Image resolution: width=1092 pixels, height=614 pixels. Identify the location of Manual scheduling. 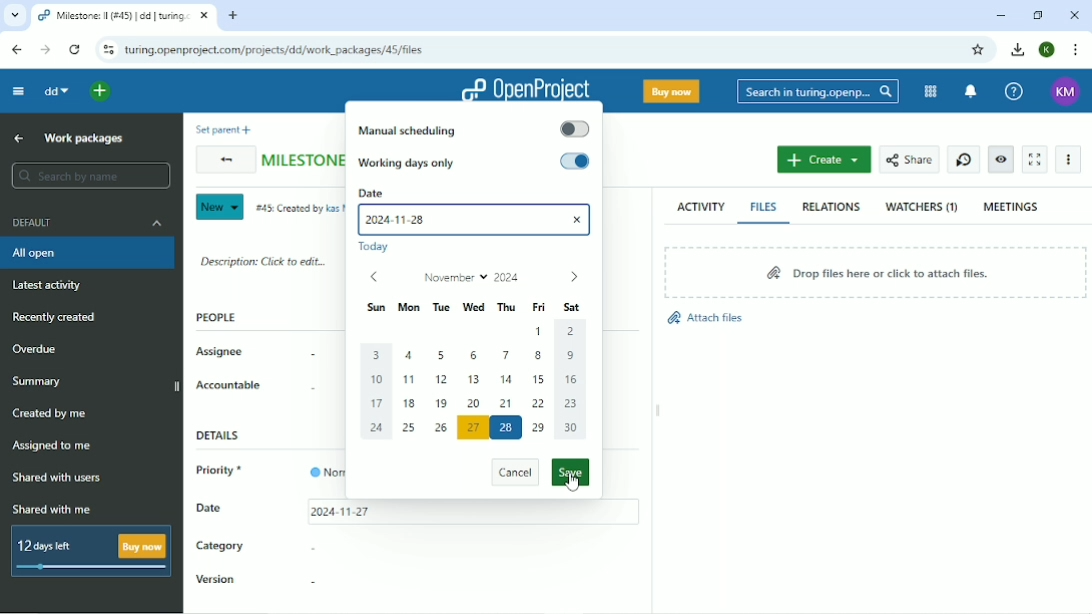
(408, 130).